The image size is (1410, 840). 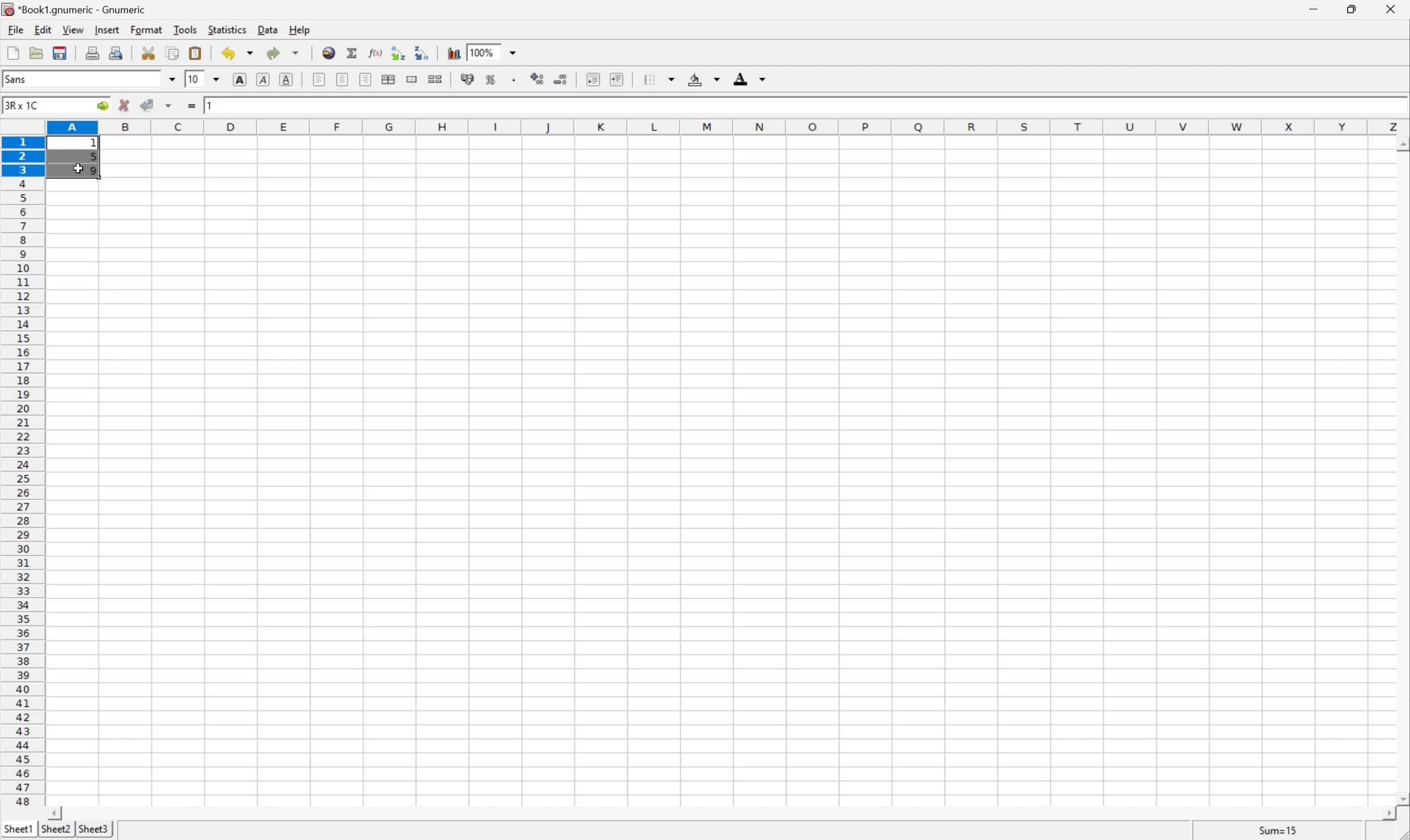 What do you see at coordinates (172, 53) in the screenshot?
I see `copy` at bounding box center [172, 53].